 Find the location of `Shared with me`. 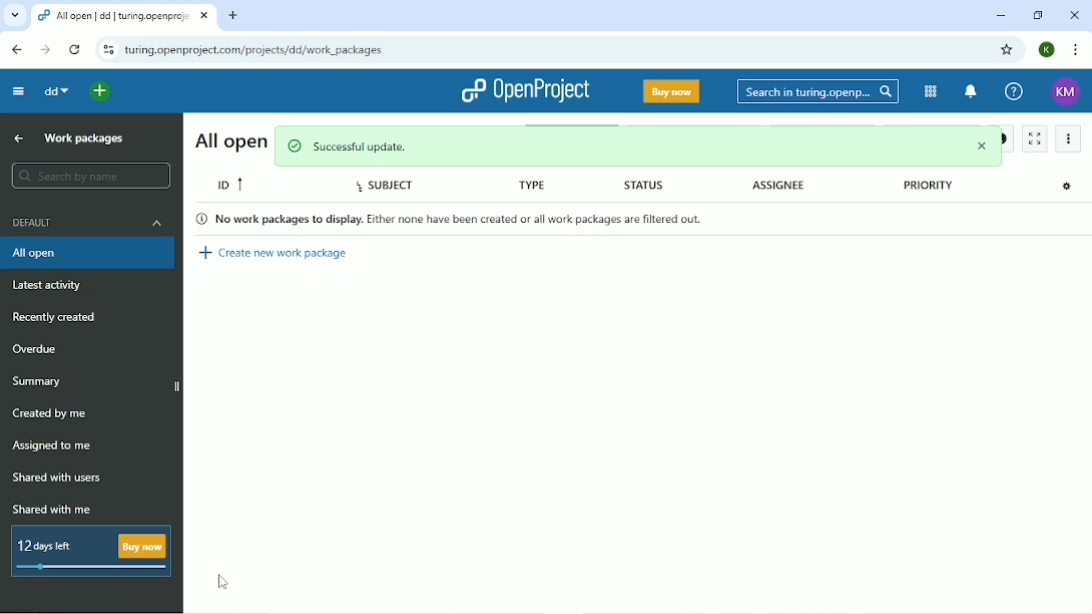

Shared with me is located at coordinates (51, 510).